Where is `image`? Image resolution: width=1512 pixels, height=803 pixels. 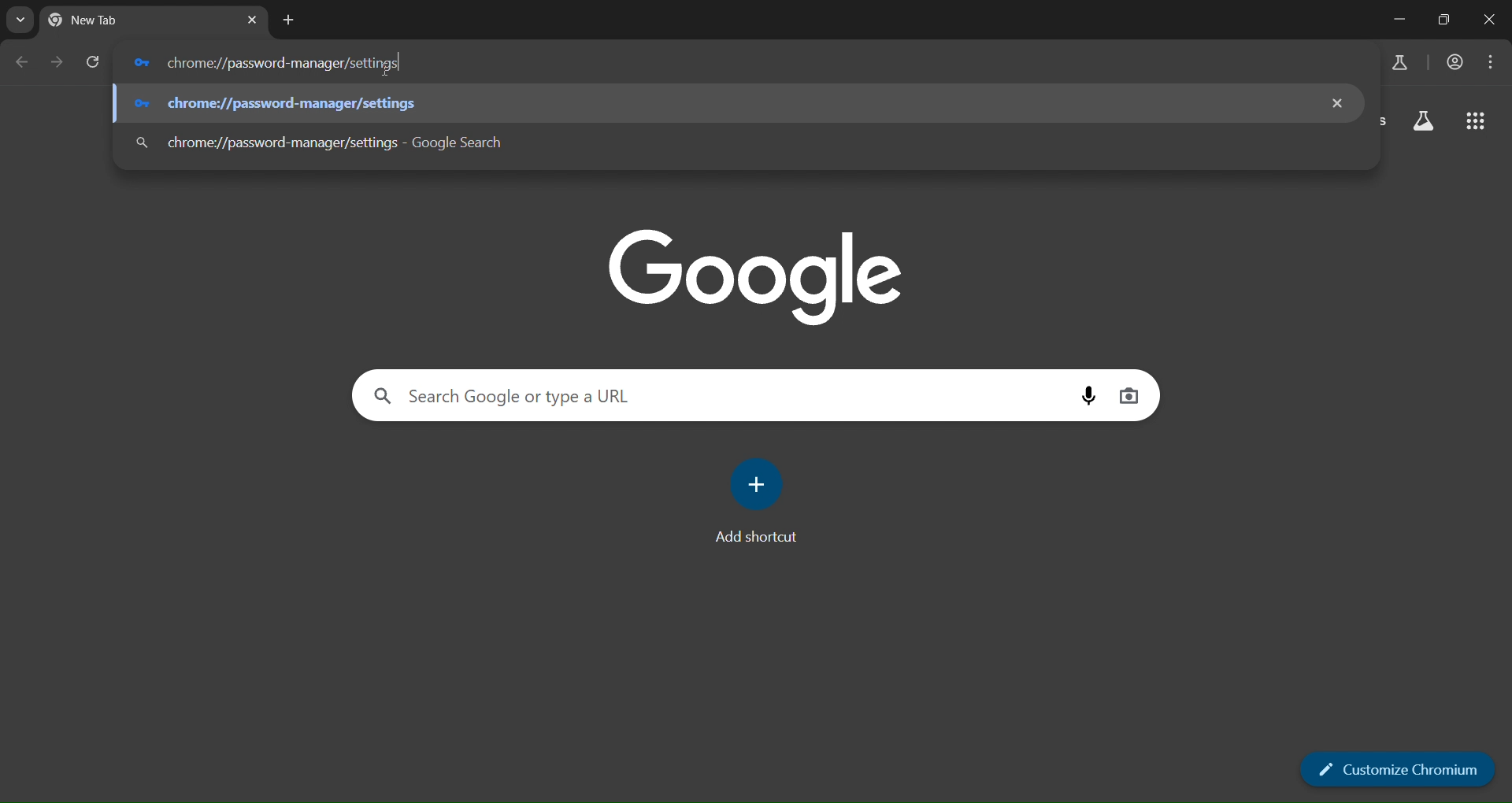
image is located at coordinates (759, 276).